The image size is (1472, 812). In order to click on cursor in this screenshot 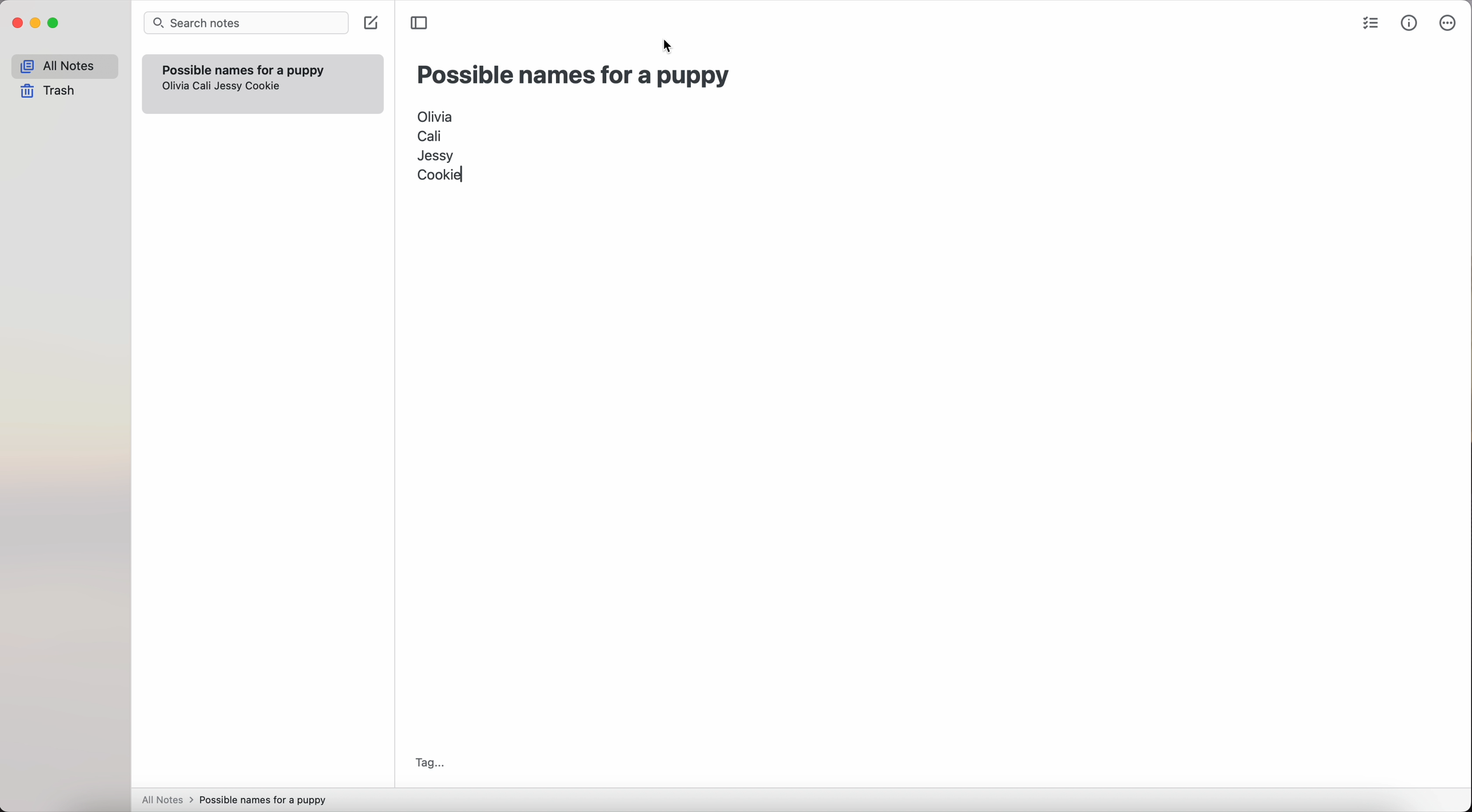, I will do `click(671, 47)`.